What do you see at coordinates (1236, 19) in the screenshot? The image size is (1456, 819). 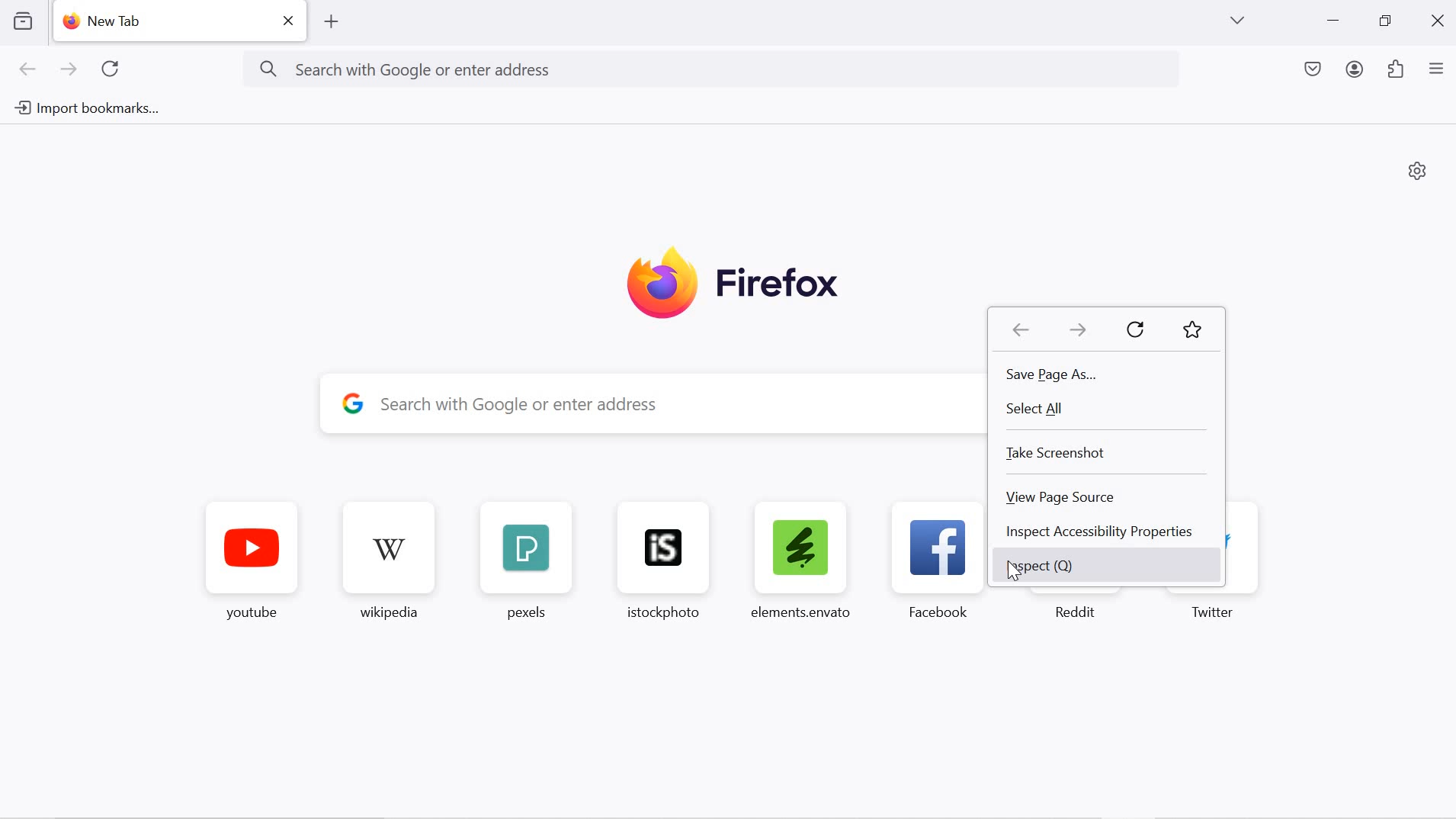 I see `list of tabs` at bounding box center [1236, 19].